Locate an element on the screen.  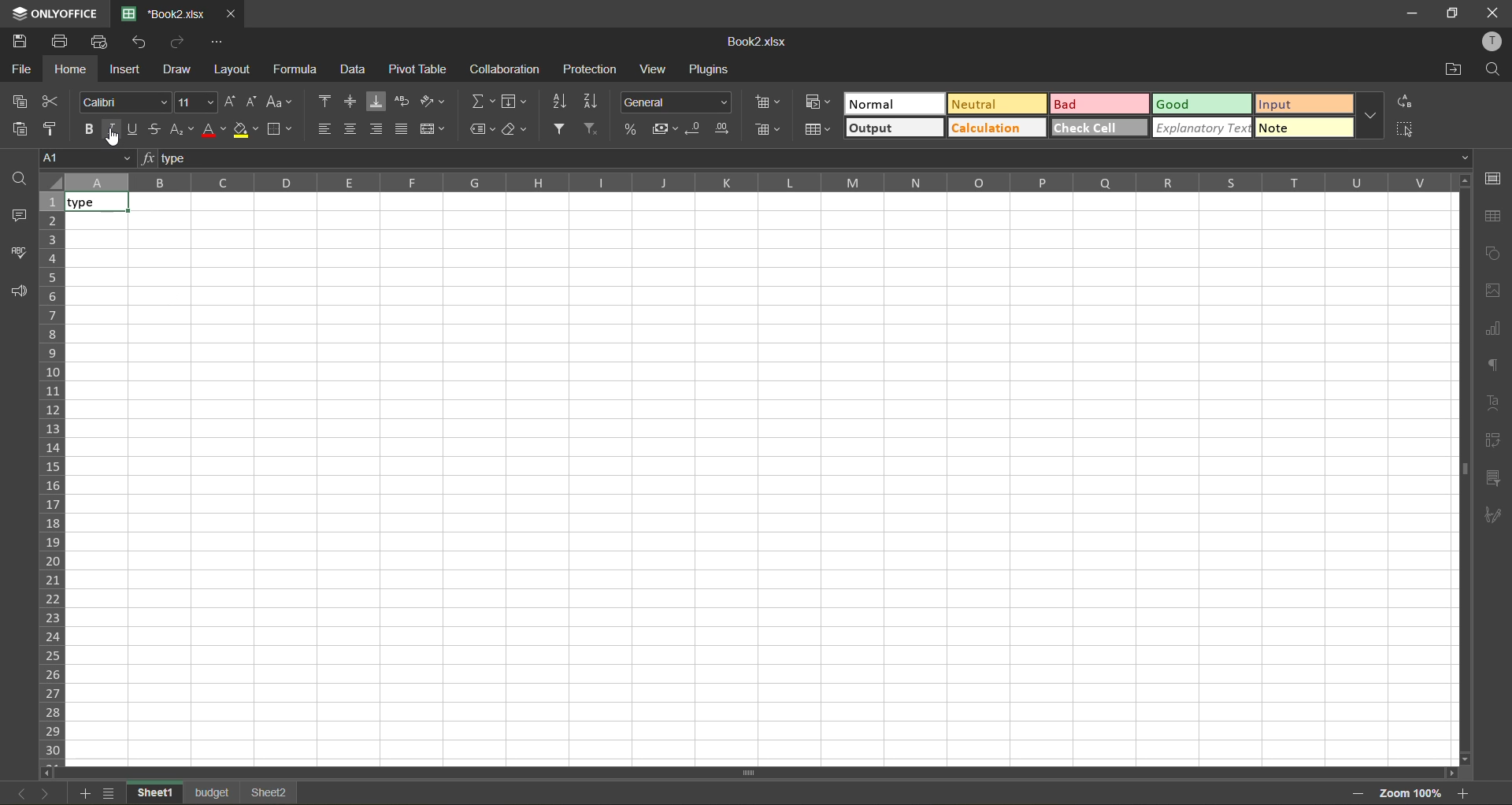
view is located at coordinates (652, 71).